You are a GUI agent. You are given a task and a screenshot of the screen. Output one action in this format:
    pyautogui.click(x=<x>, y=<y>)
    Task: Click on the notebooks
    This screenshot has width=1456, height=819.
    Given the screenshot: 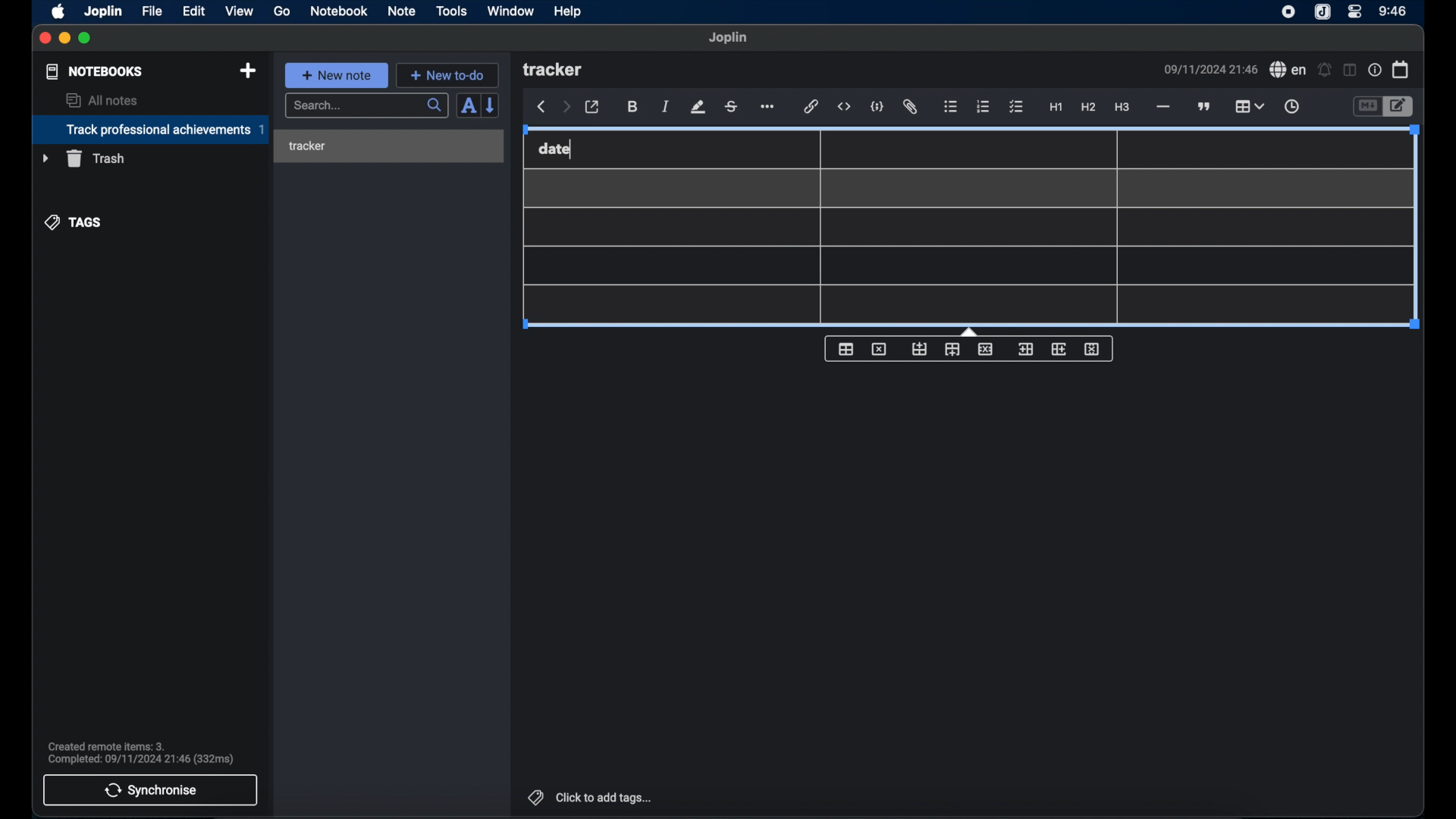 What is the action you would take?
    pyautogui.click(x=93, y=71)
    